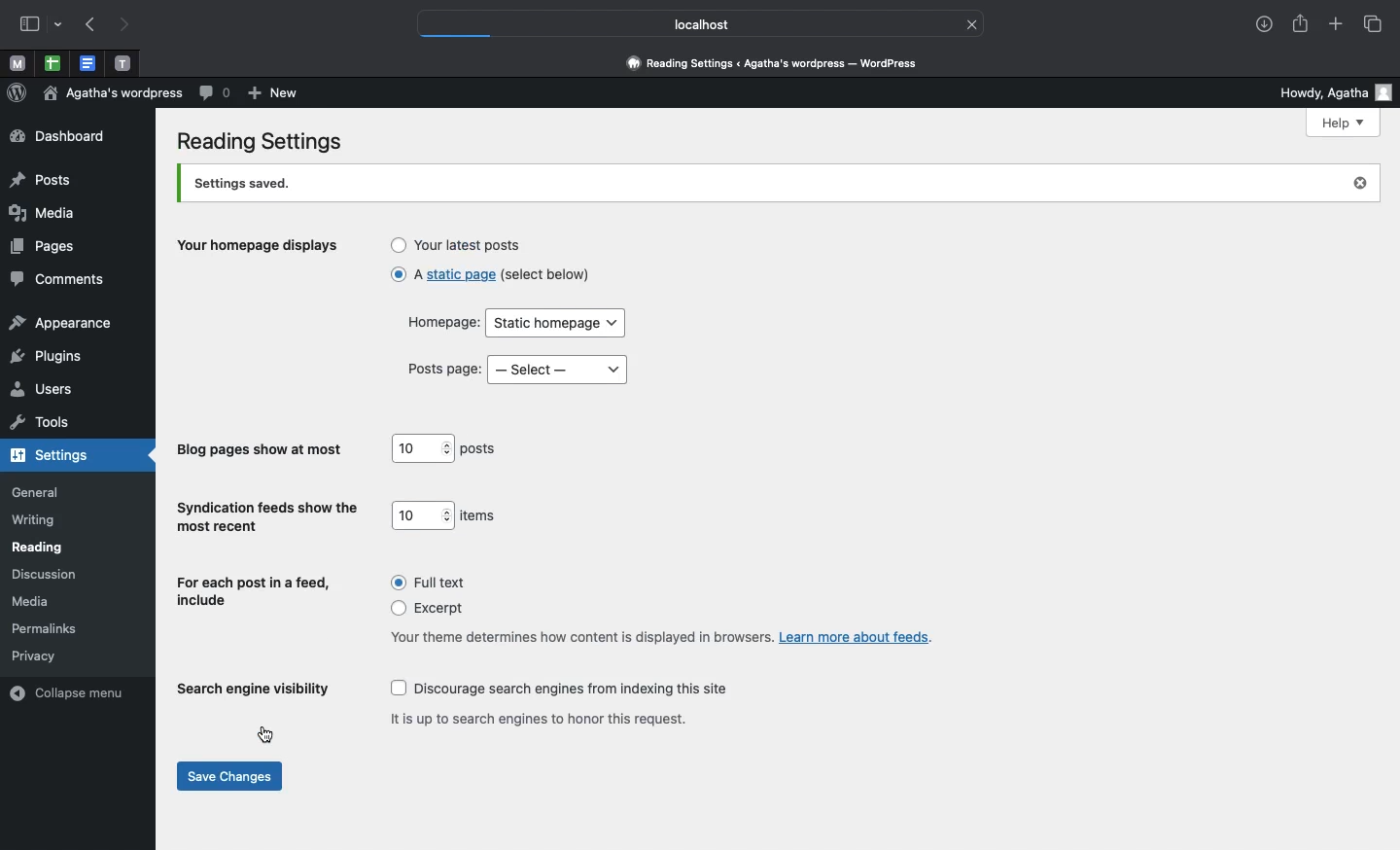  What do you see at coordinates (262, 248) in the screenshot?
I see `your homepage displays` at bounding box center [262, 248].